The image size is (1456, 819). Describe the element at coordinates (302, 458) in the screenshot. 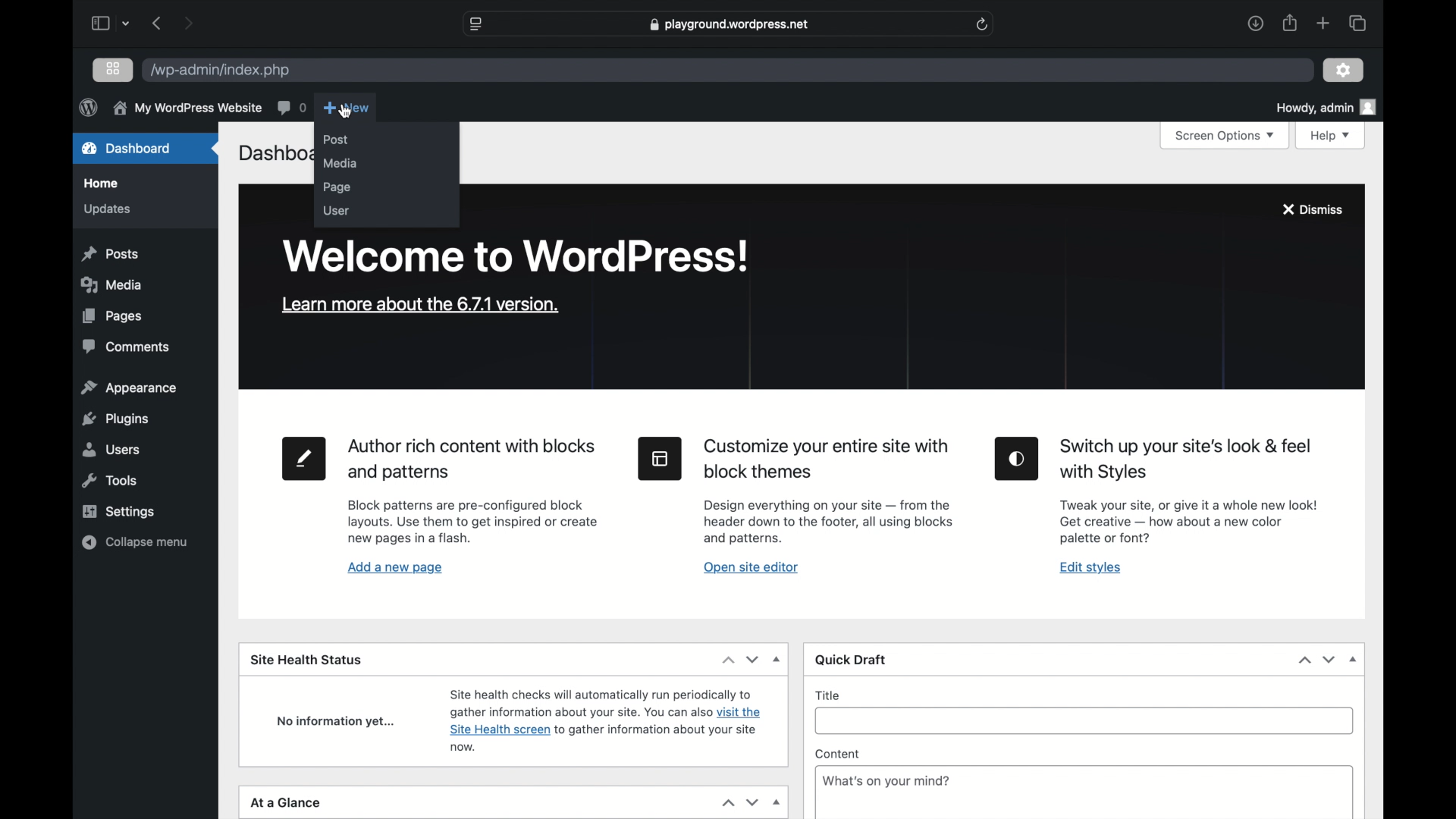

I see `new page` at that location.